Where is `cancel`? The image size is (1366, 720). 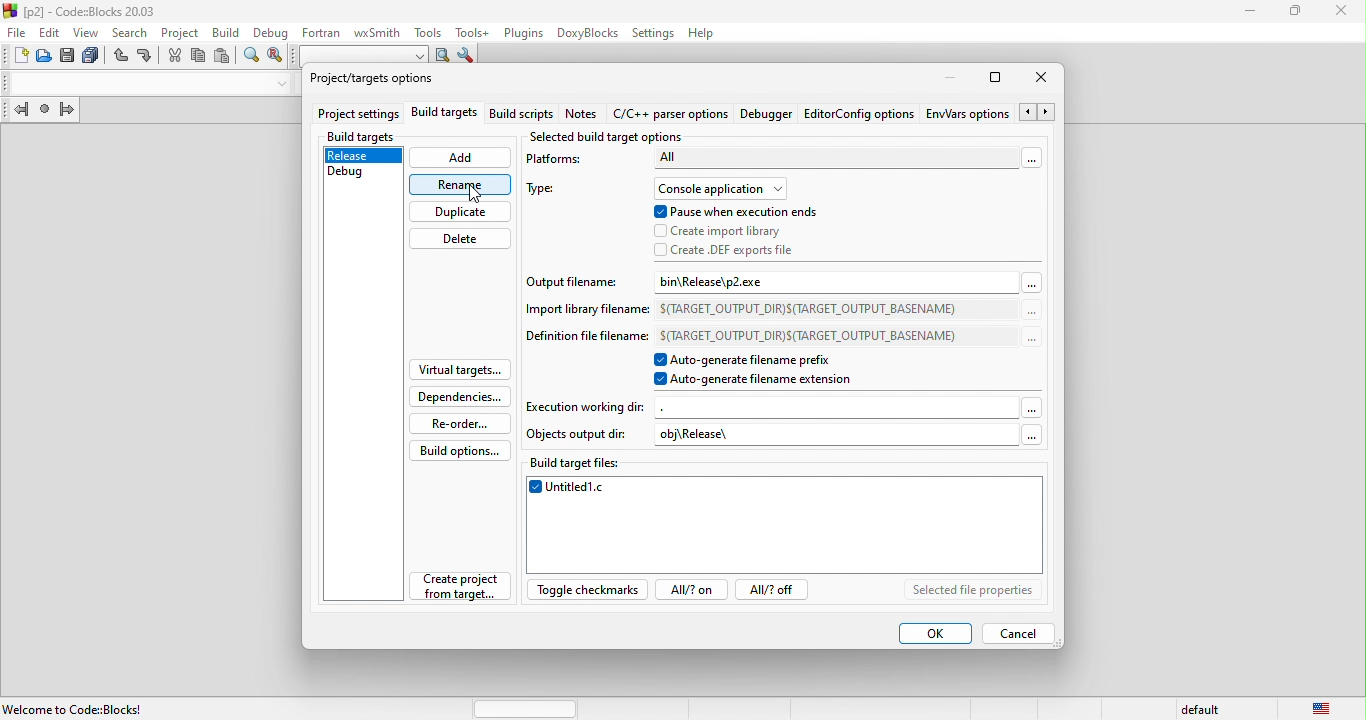
cancel is located at coordinates (1026, 633).